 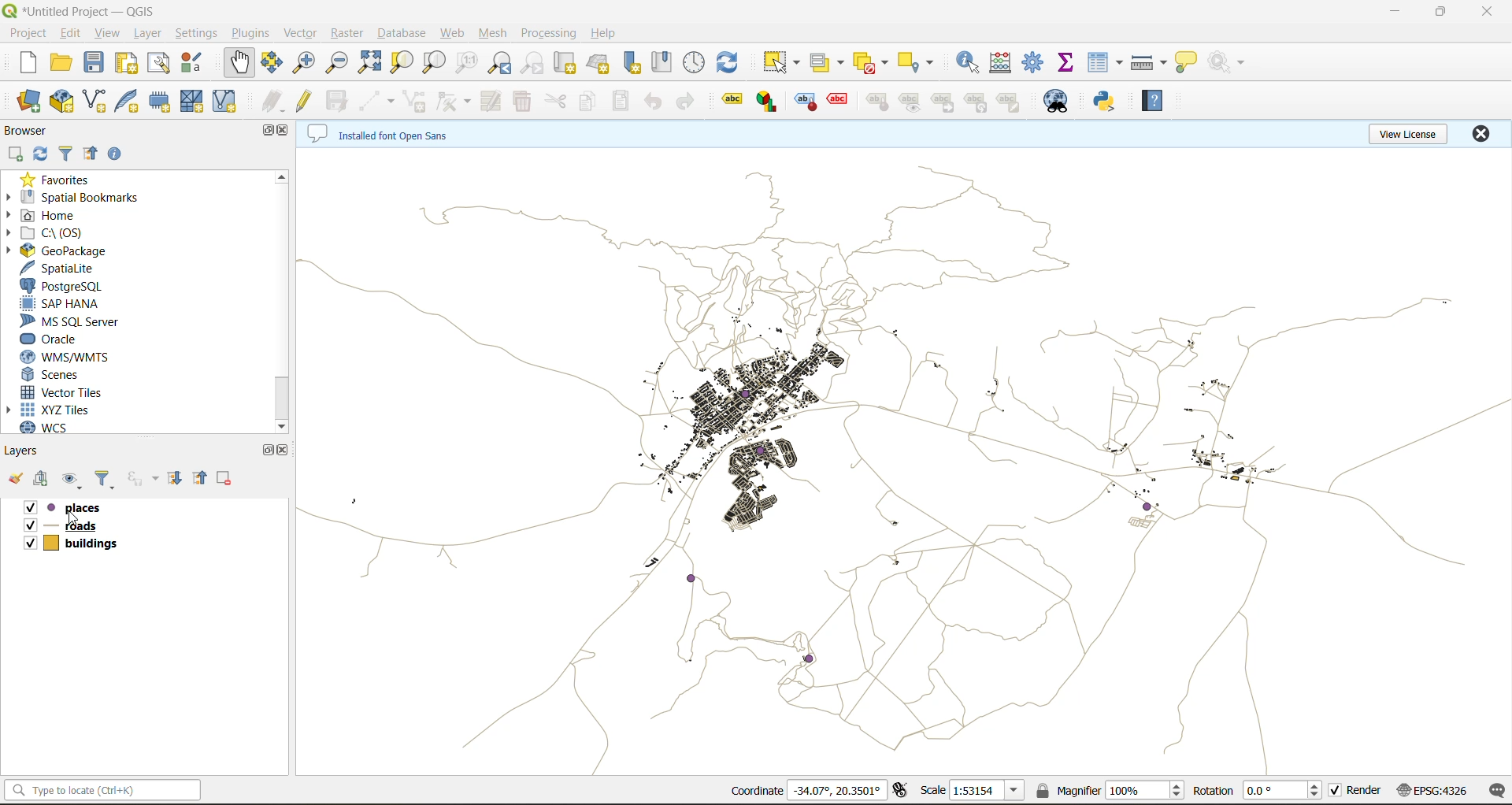 What do you see at coordinates (414, 99) in the screenshot?
I see `add polygon` at bounding box center [414, 99].